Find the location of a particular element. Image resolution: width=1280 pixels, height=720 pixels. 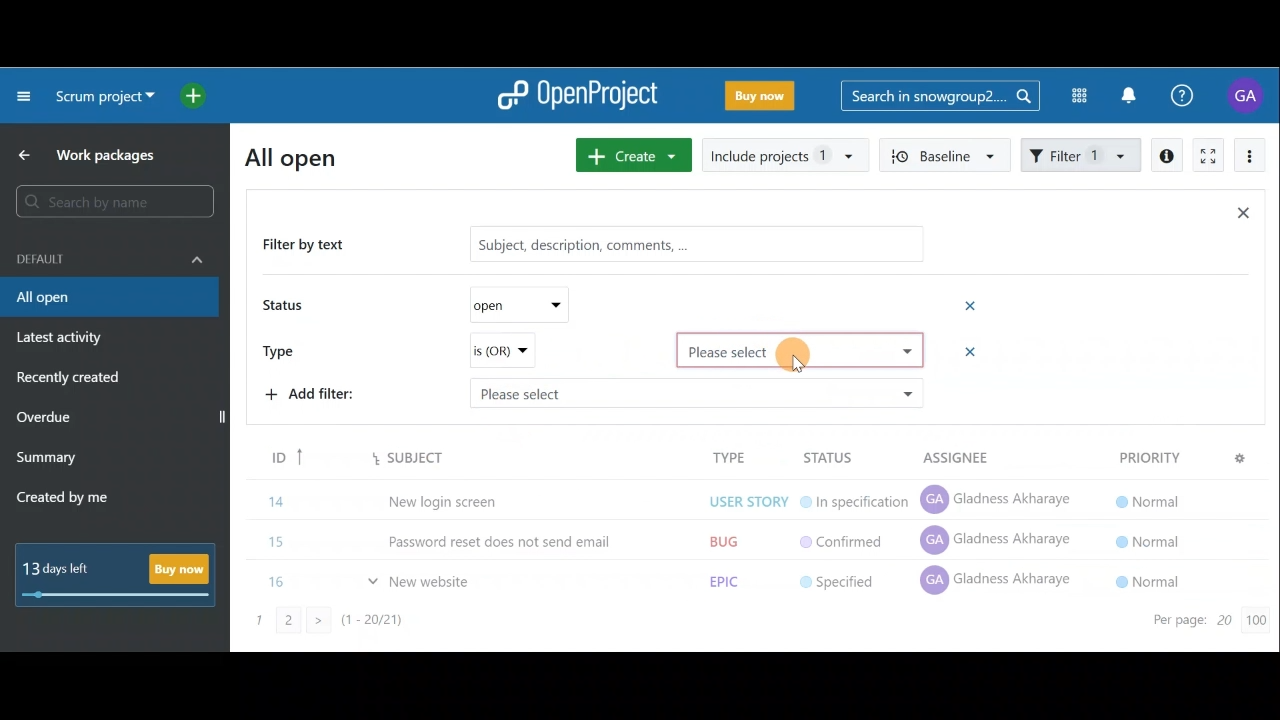

Activate zen mode is located at coordinates (1206, 157).